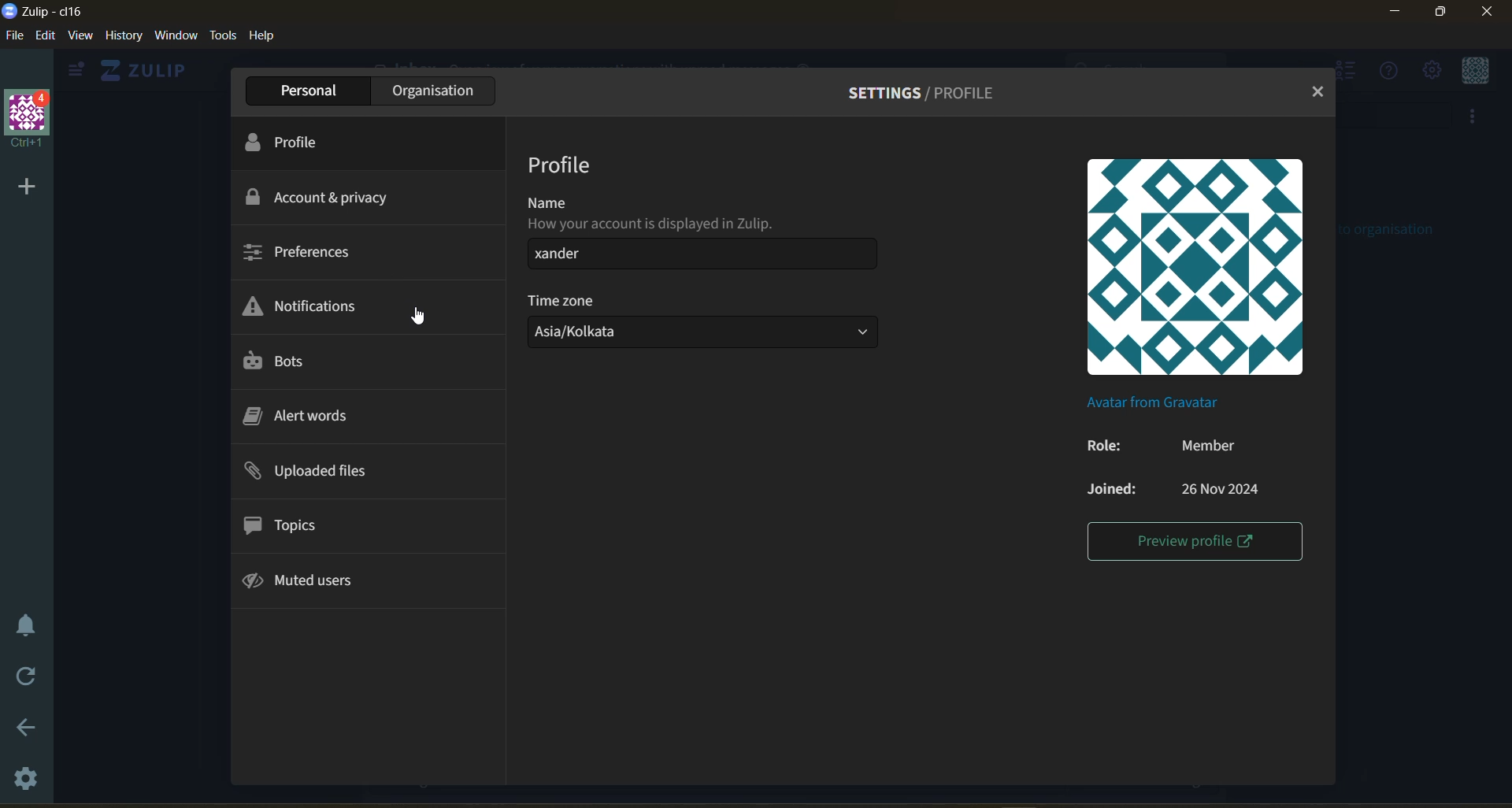 The width and height of the screenshot is (1512, 808). Describe the element at coordinates (310, 584) in the screenshot. I see `muted users` at that location.